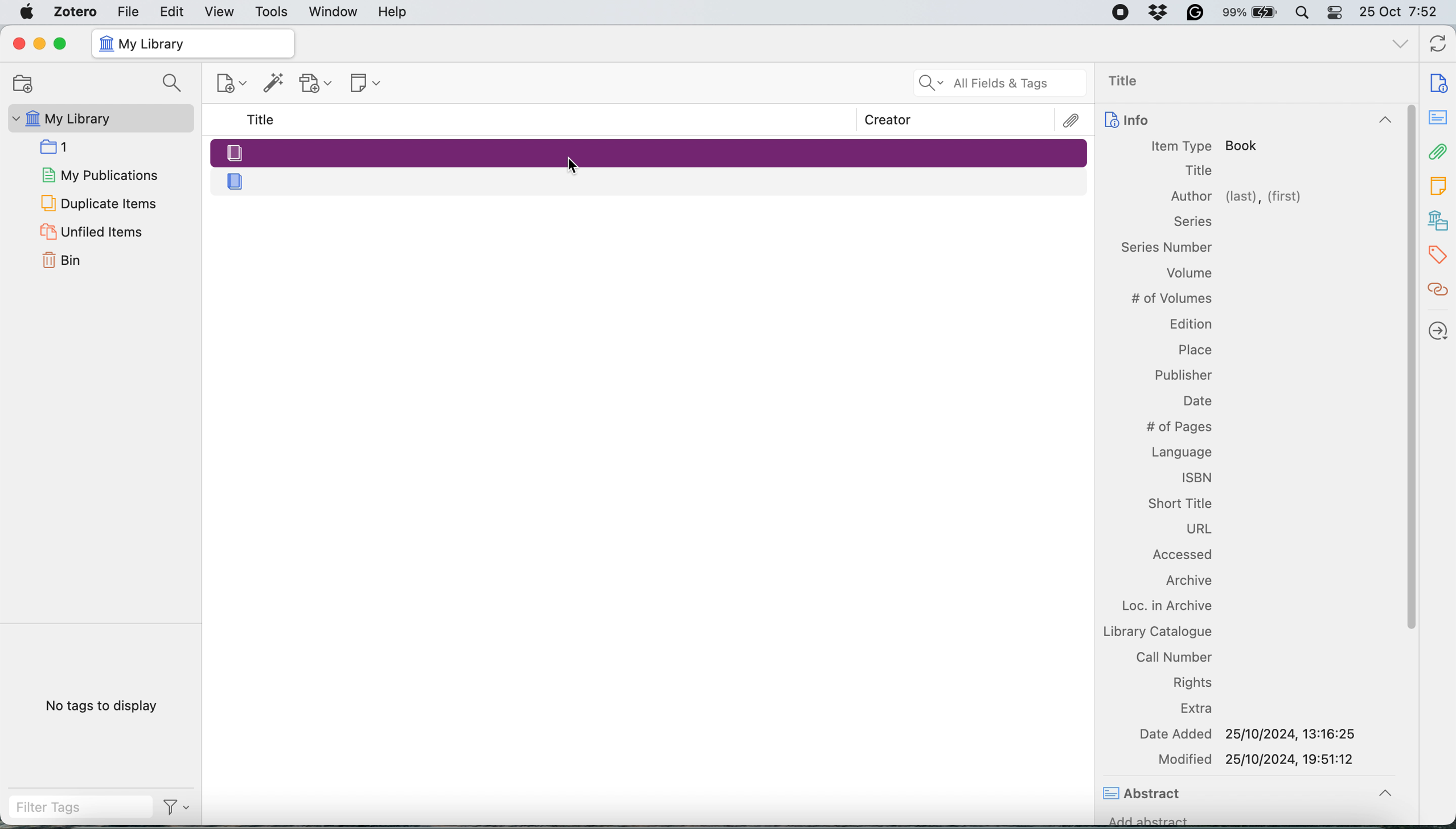 The image size is (1456, 829). I want to click on File, so click(128, 11).